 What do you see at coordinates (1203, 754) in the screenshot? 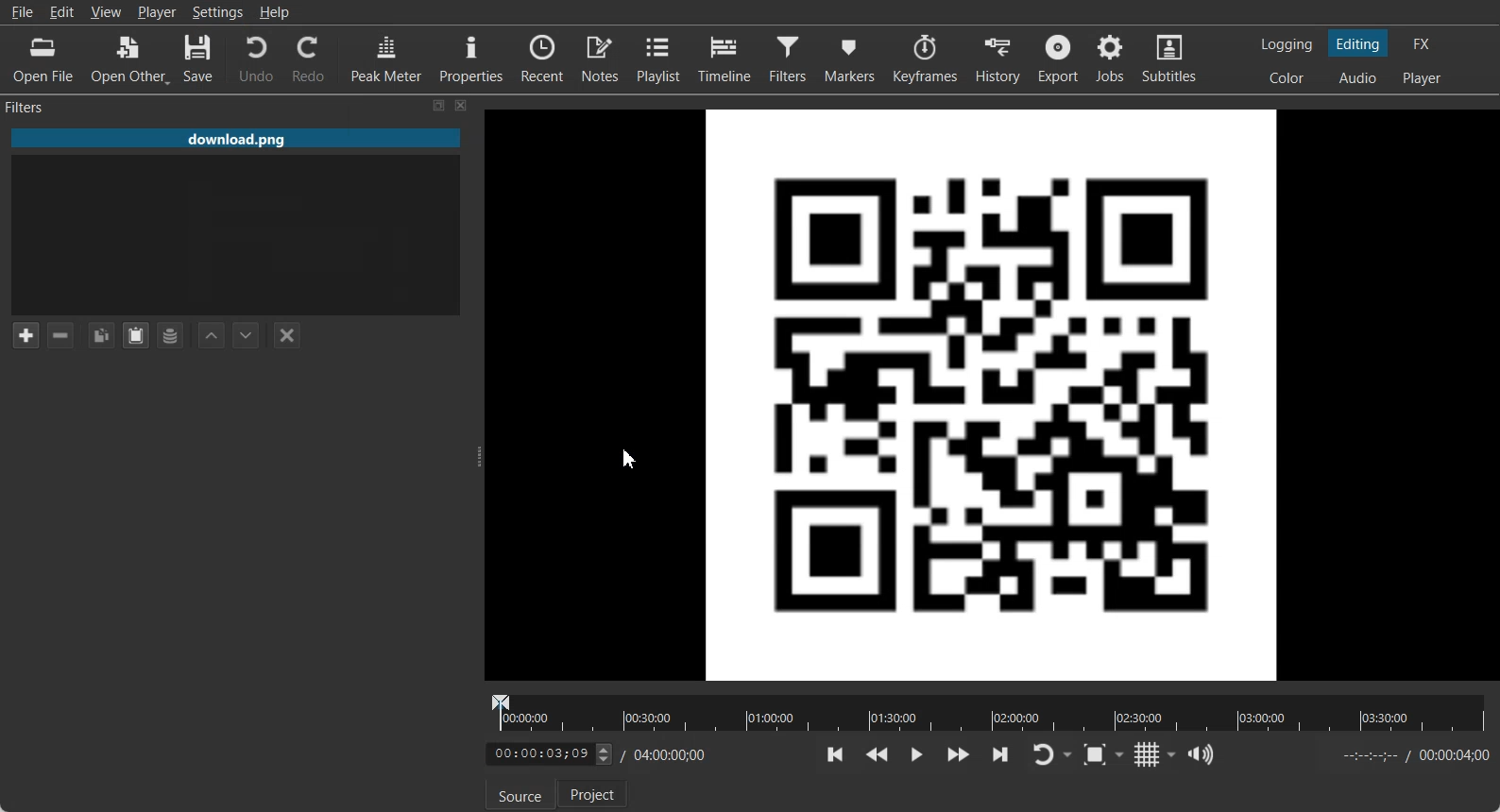
I see `Show the volume control` at bounding box center [1203, 754].